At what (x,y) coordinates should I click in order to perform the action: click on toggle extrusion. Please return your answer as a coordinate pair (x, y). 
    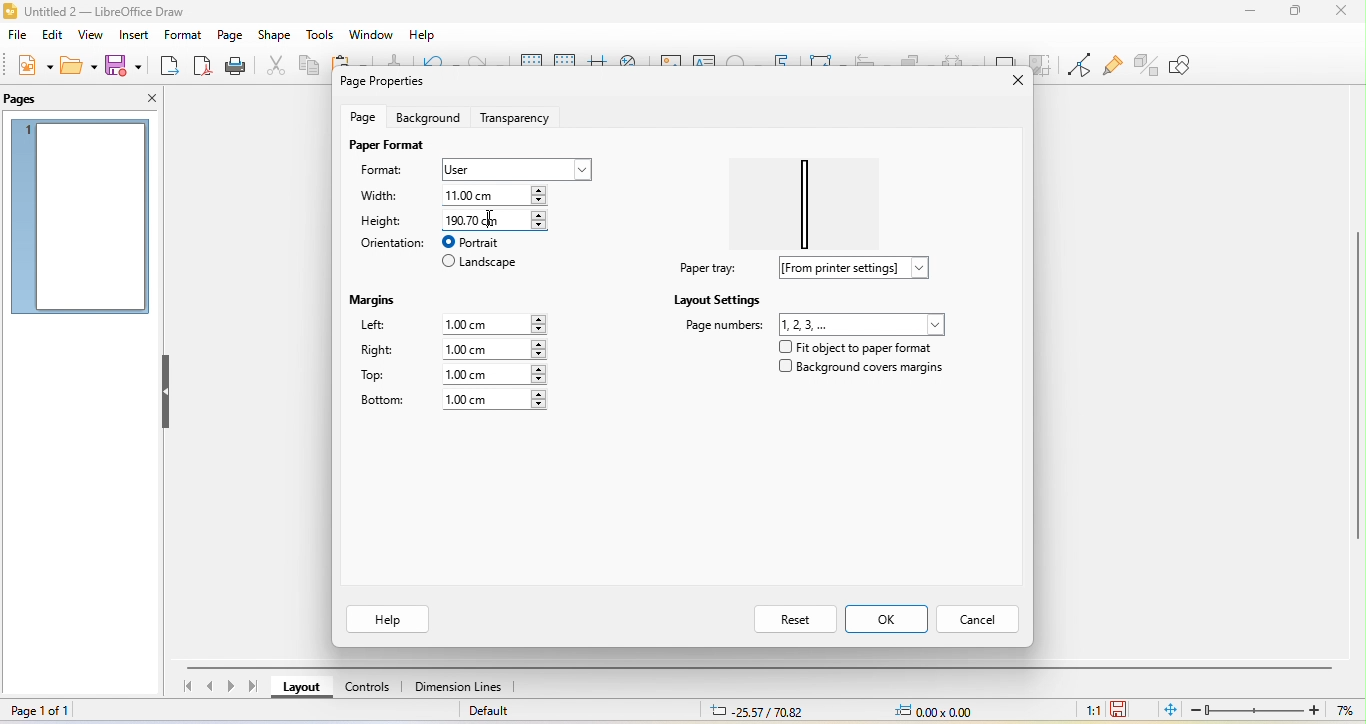
    Looking at the image, I should click on (1147, 63).